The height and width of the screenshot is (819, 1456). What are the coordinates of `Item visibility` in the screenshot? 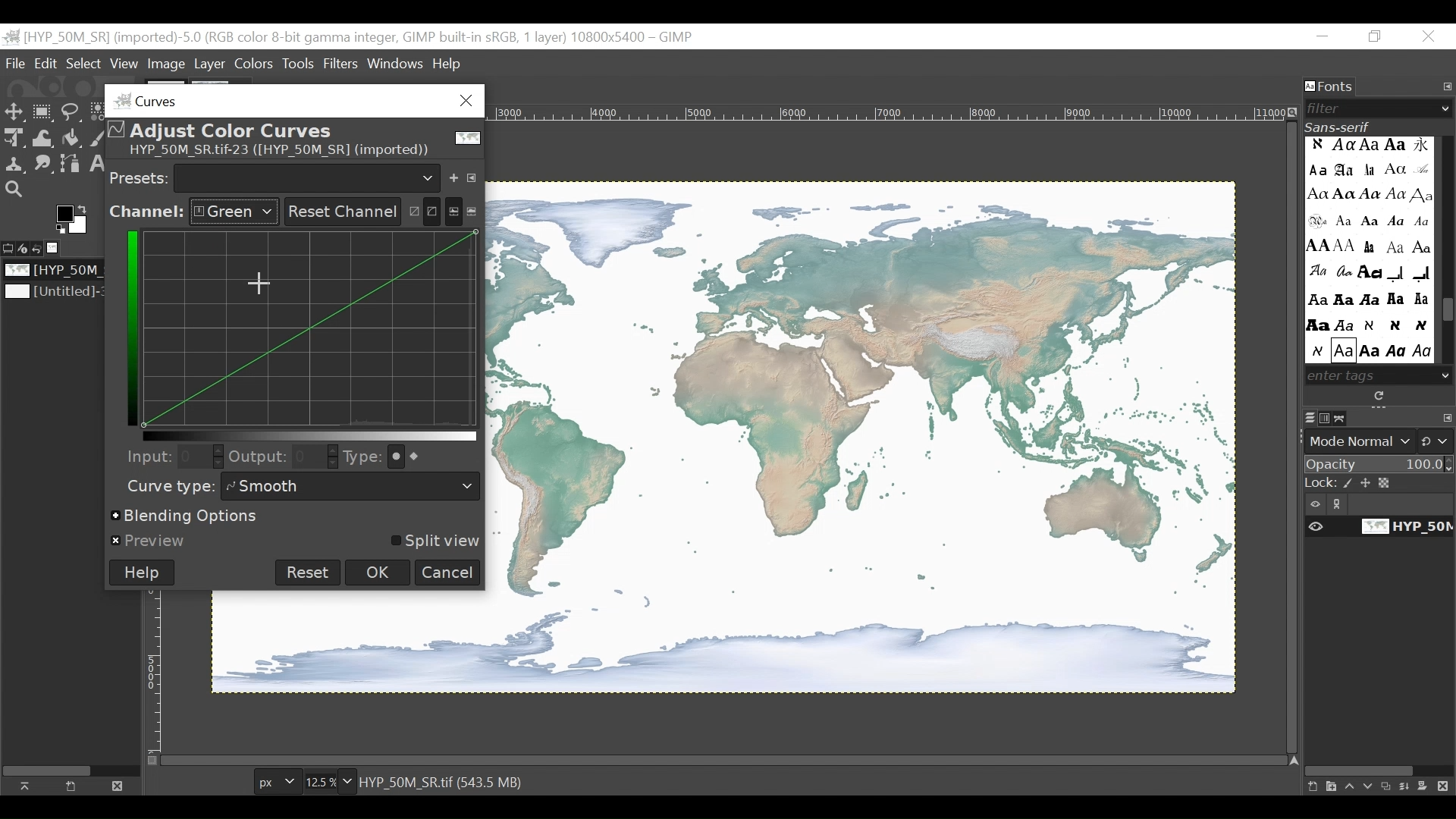 It's located at (1379, 504).